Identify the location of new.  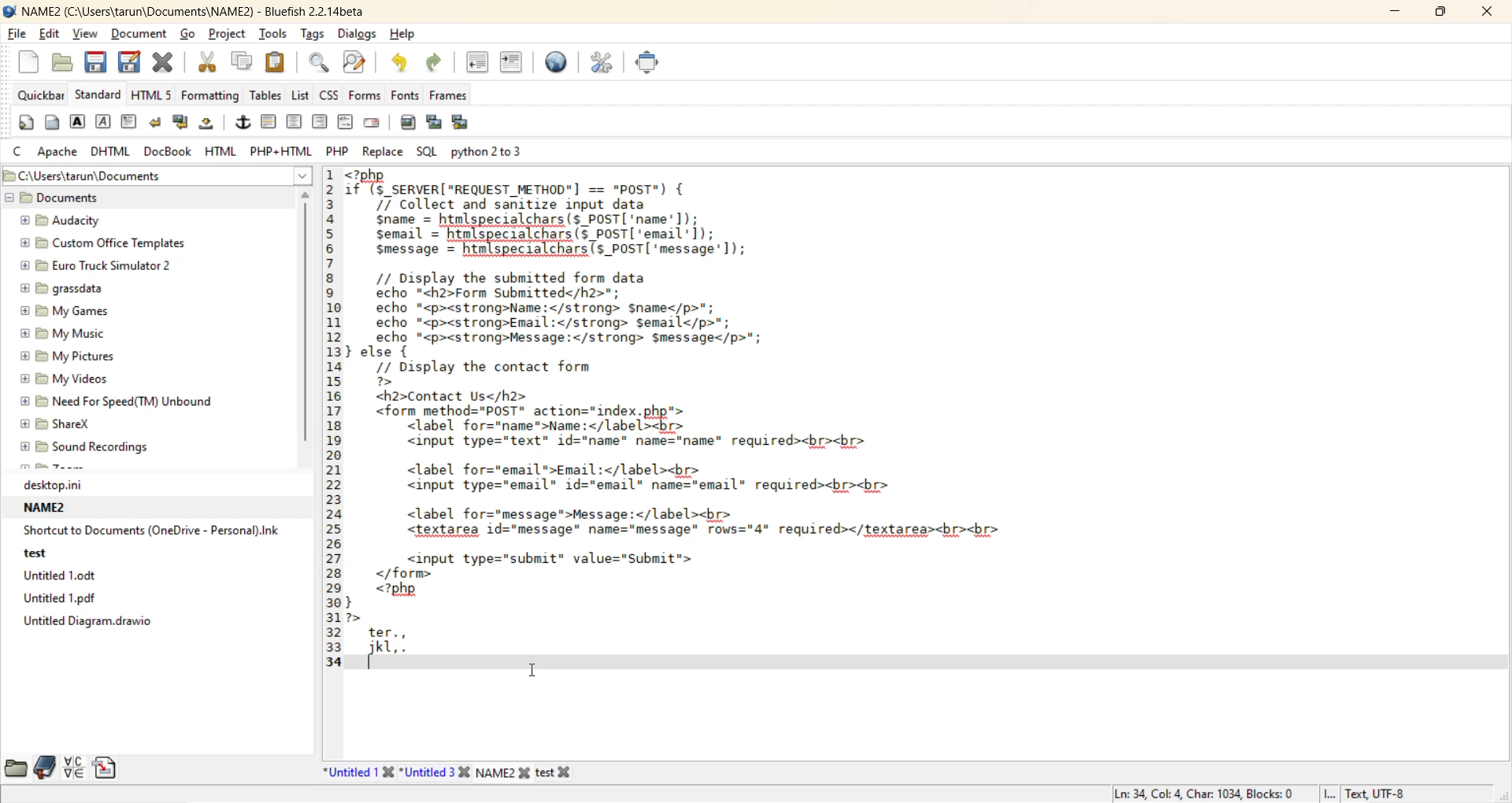
(31, 61).